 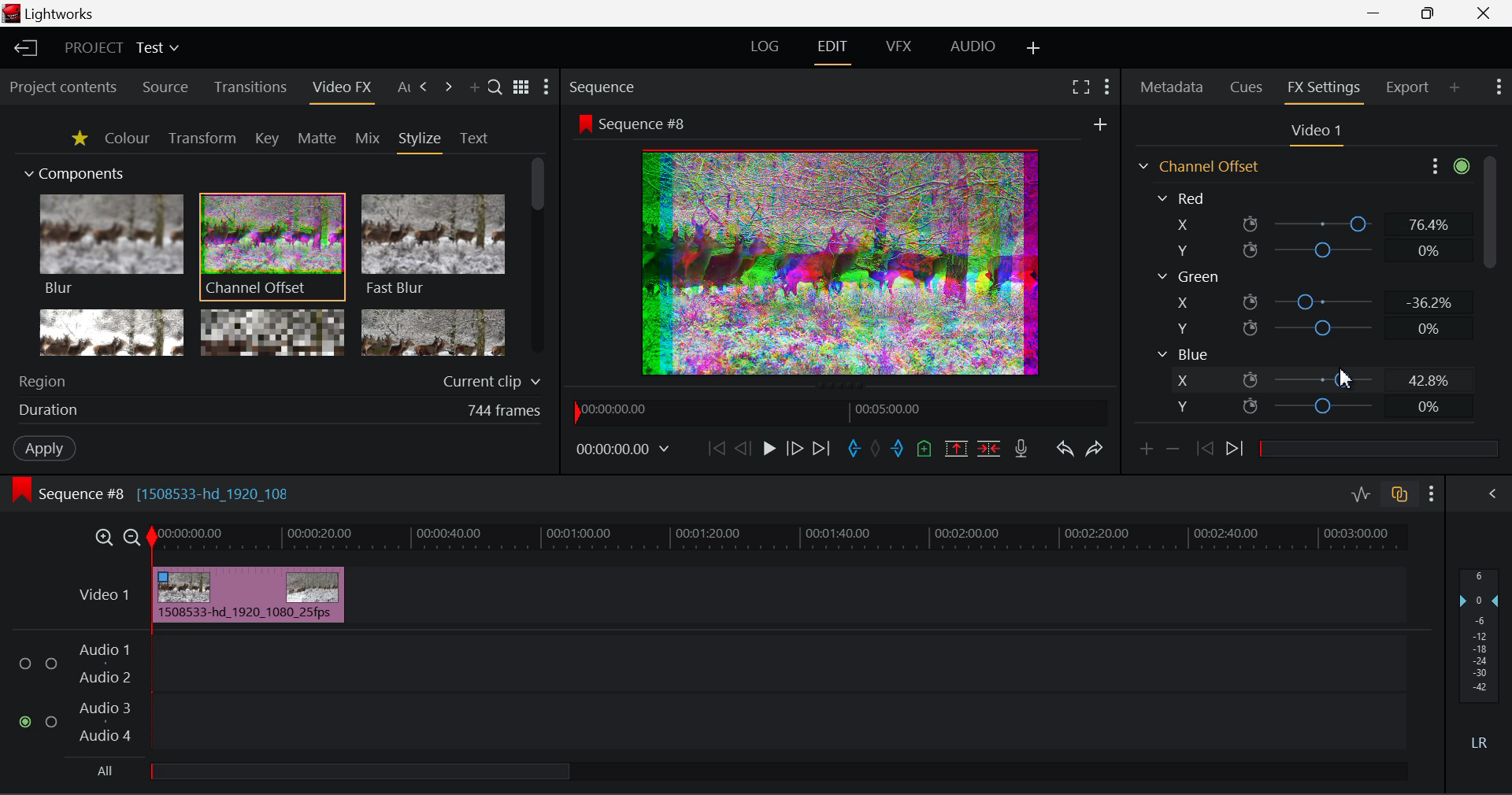 I want to click on Restore Down, so click(x=1379, y=14).